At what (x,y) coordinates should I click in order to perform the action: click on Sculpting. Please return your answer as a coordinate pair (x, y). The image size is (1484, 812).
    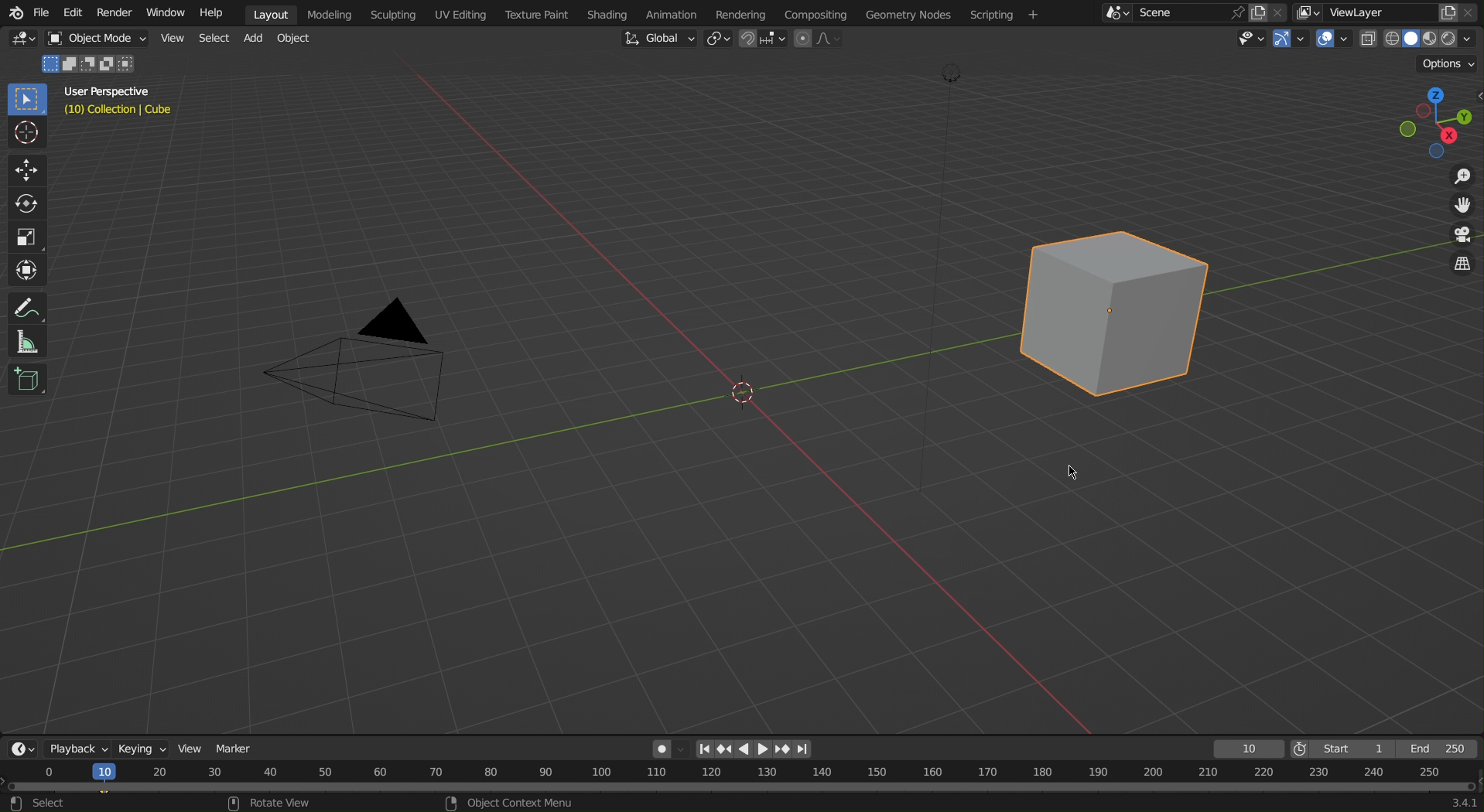
    Looking at the image, I should click on (393, 13).